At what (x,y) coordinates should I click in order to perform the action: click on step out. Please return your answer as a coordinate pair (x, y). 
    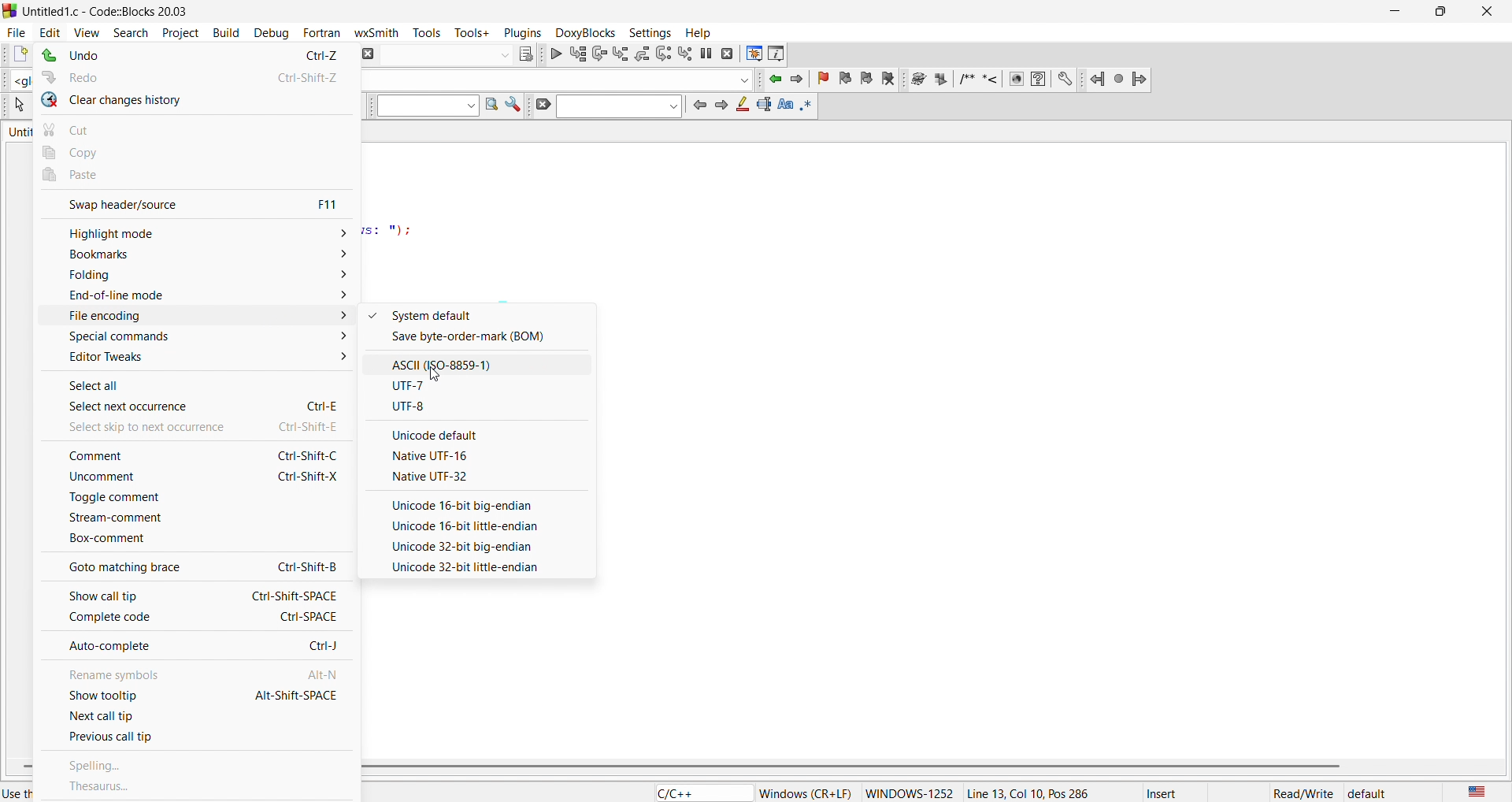
    Looking at the image, I should click on (642, 54).